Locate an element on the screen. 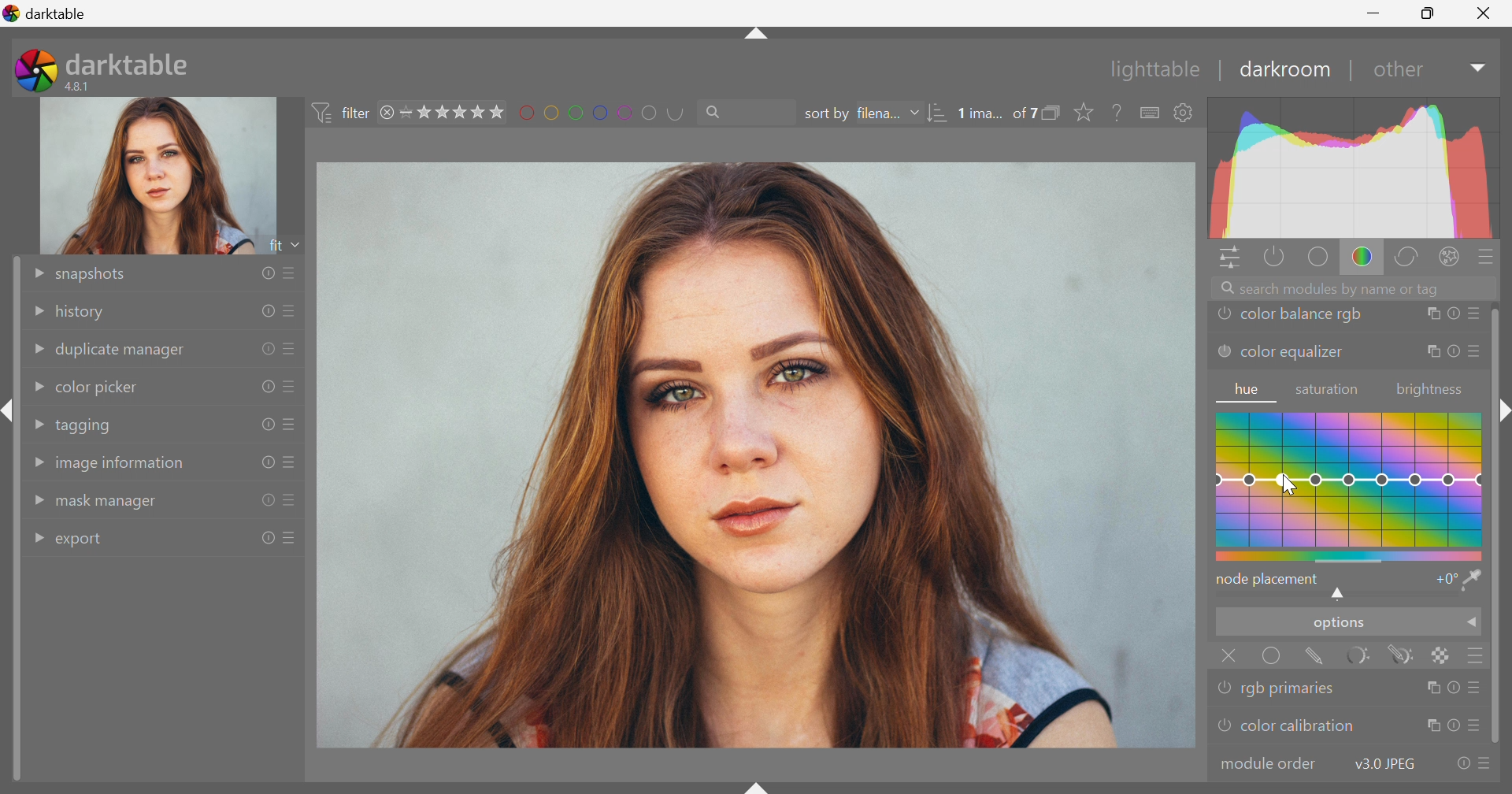  shifts hue to lower or higher hue is located at coordinates (1341, 595).